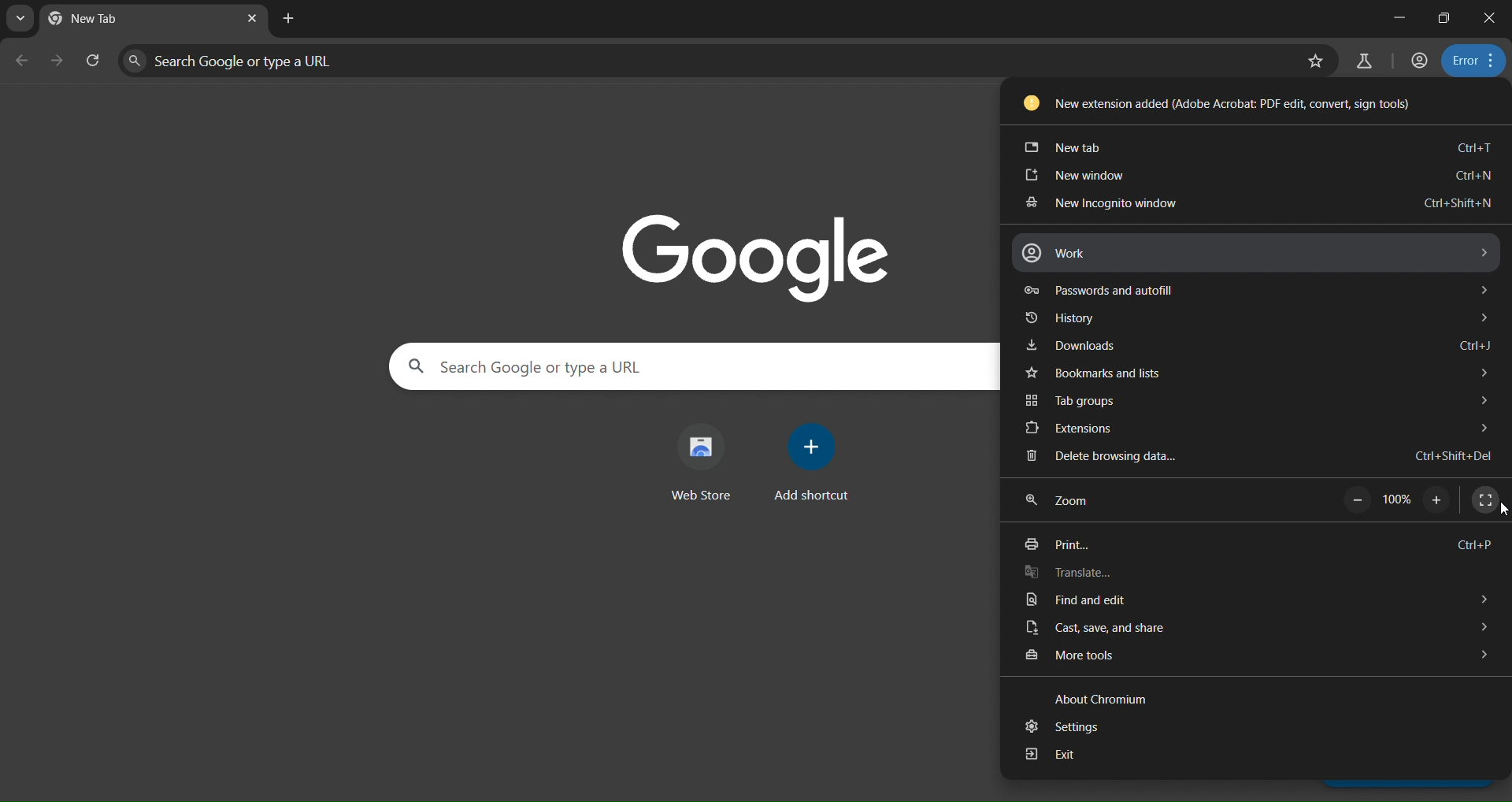  Describe the element at coordinates (759, 252) in the screenshot. I see `image` at that location.